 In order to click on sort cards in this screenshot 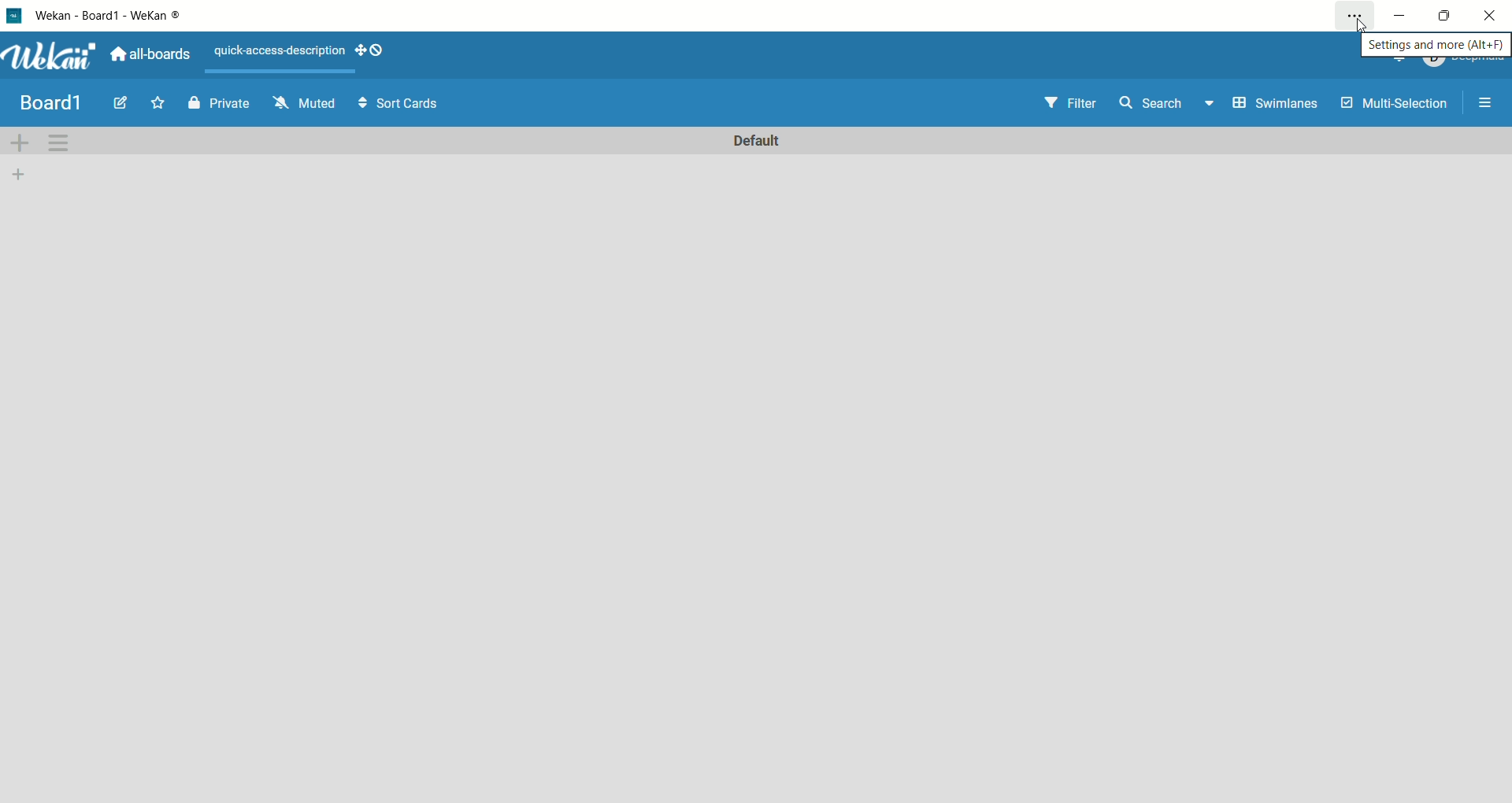, I will do `click(401, 102)`.